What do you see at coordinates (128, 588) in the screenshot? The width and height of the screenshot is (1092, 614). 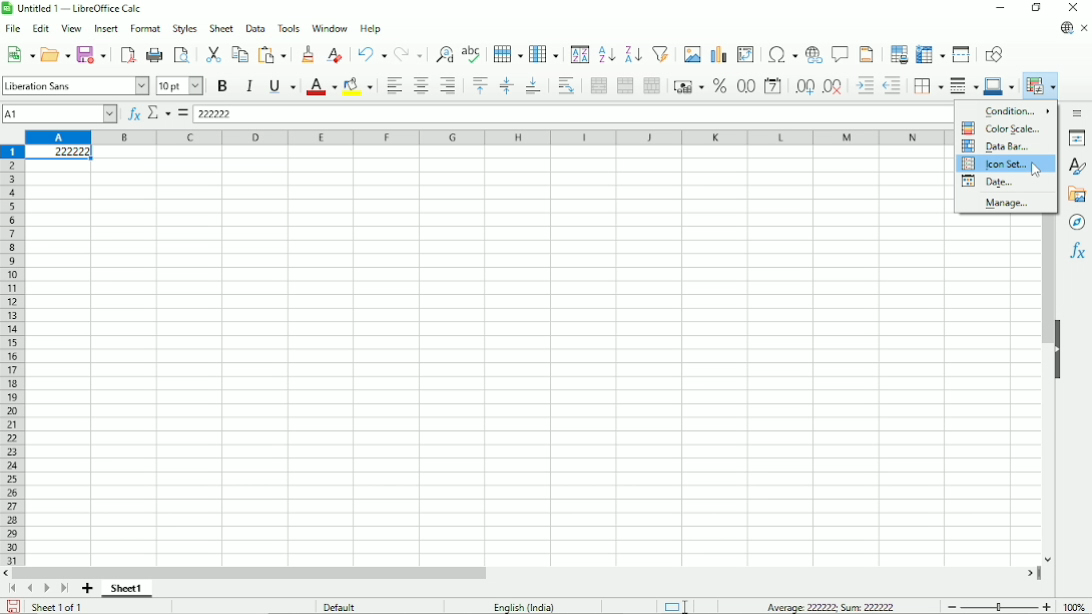 I see `Sheet 1` at bounding box center [128, 588].